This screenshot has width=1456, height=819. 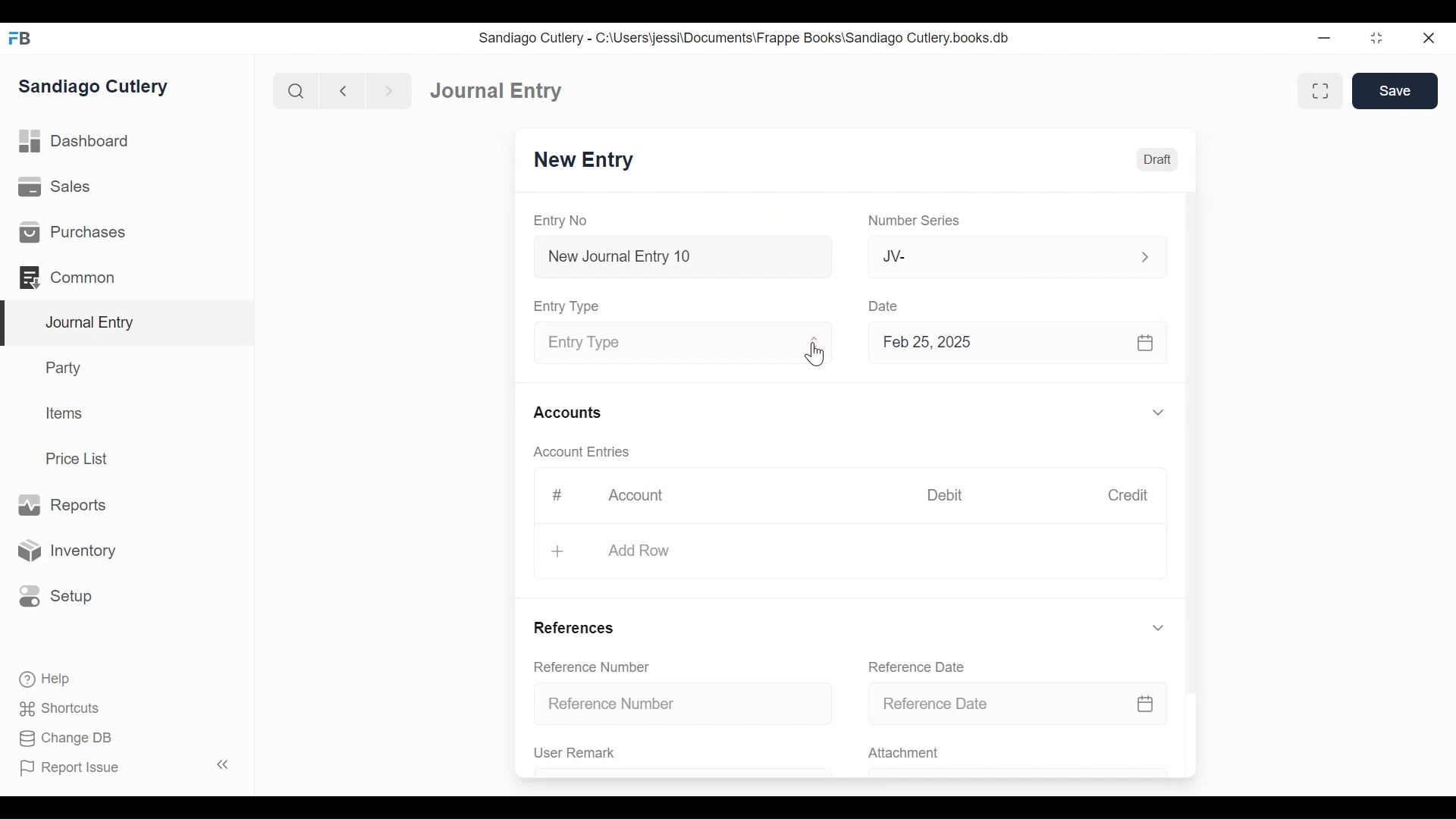 I want to click on Reference Date, so click(x=1018, y=704).